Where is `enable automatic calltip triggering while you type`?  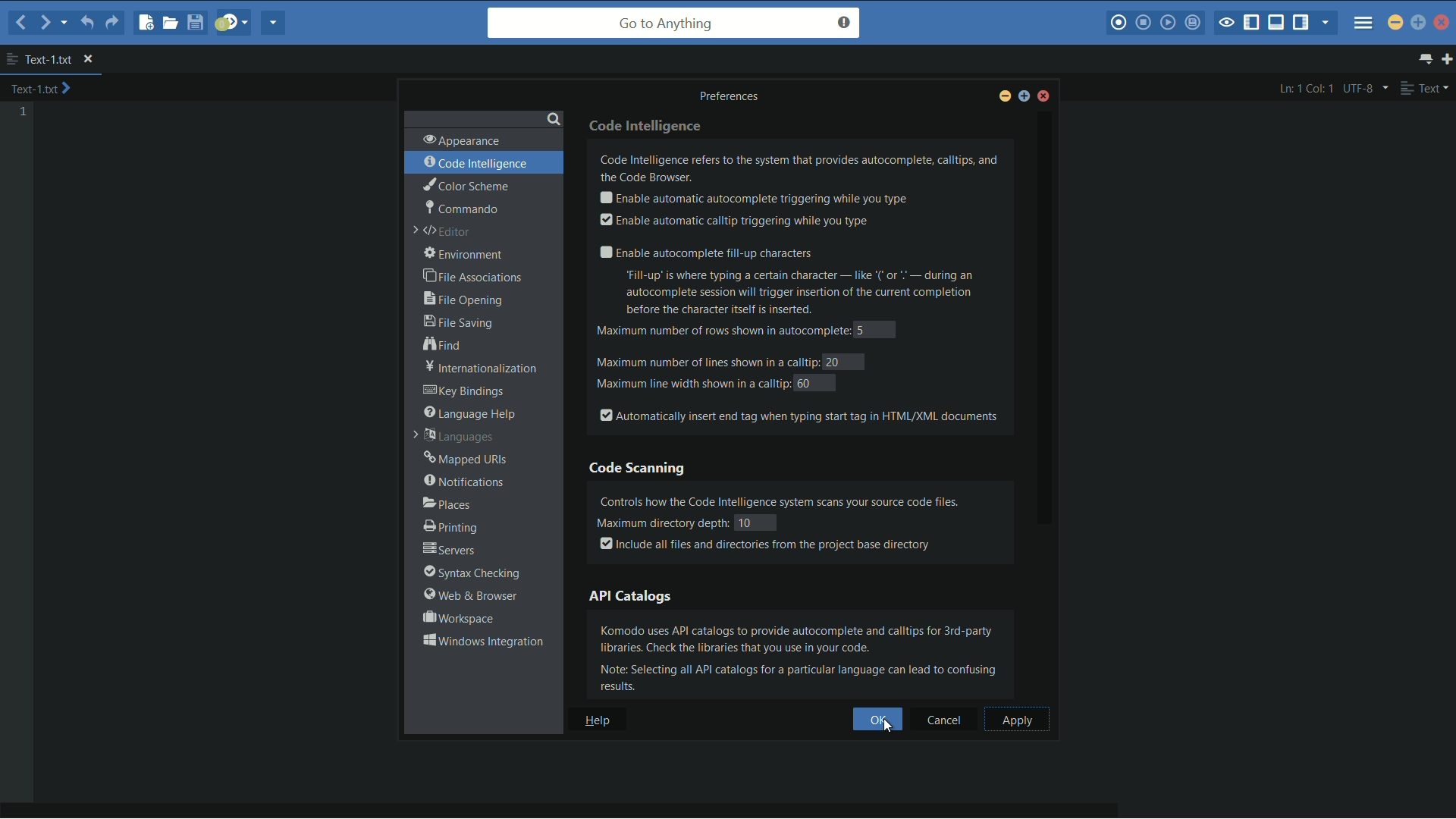
enable automatic calltip triggering while you type is located at coordinates (733, 221).